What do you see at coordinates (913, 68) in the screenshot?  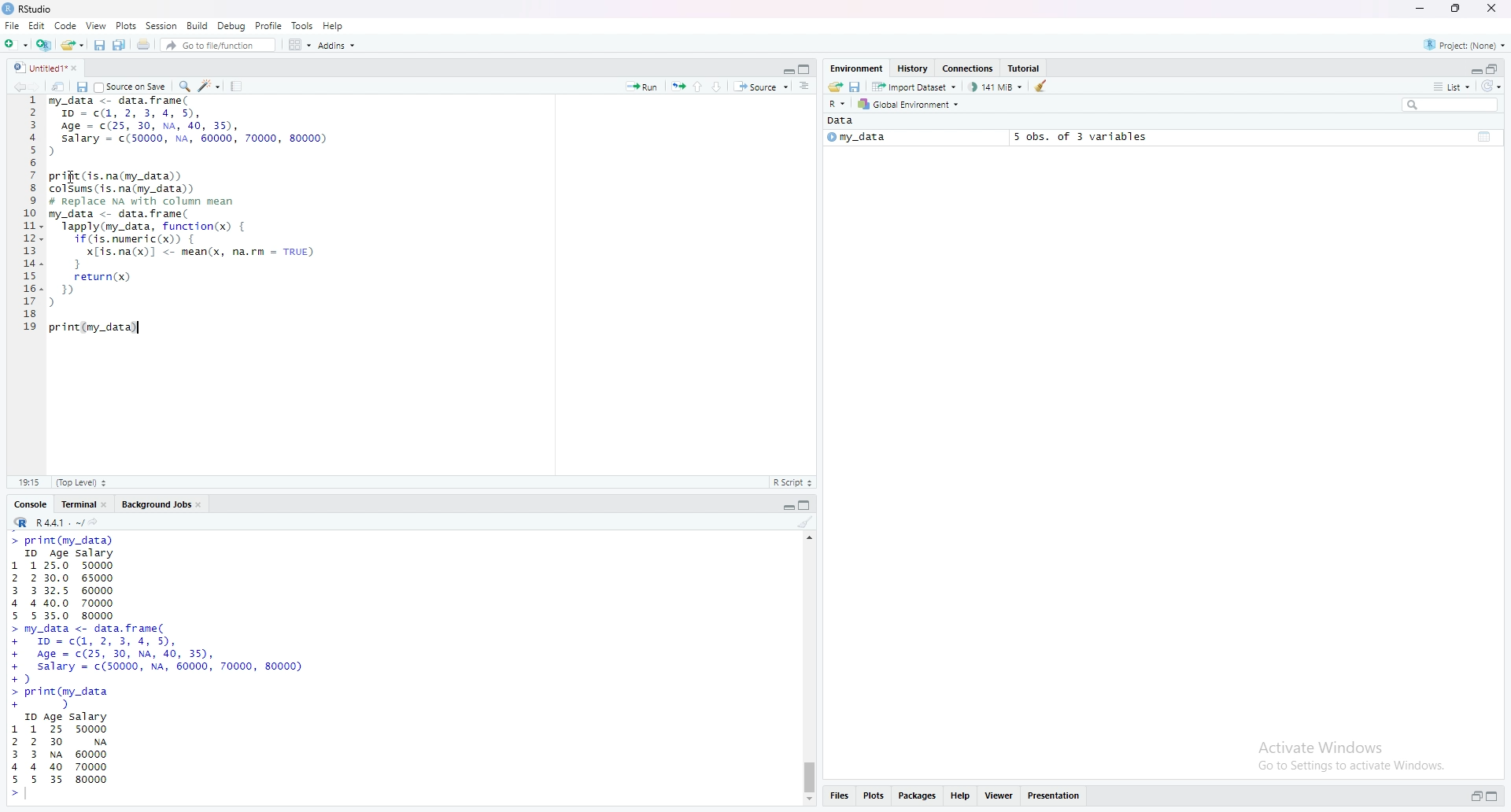 I see `history` at bounding box center [913, 68].